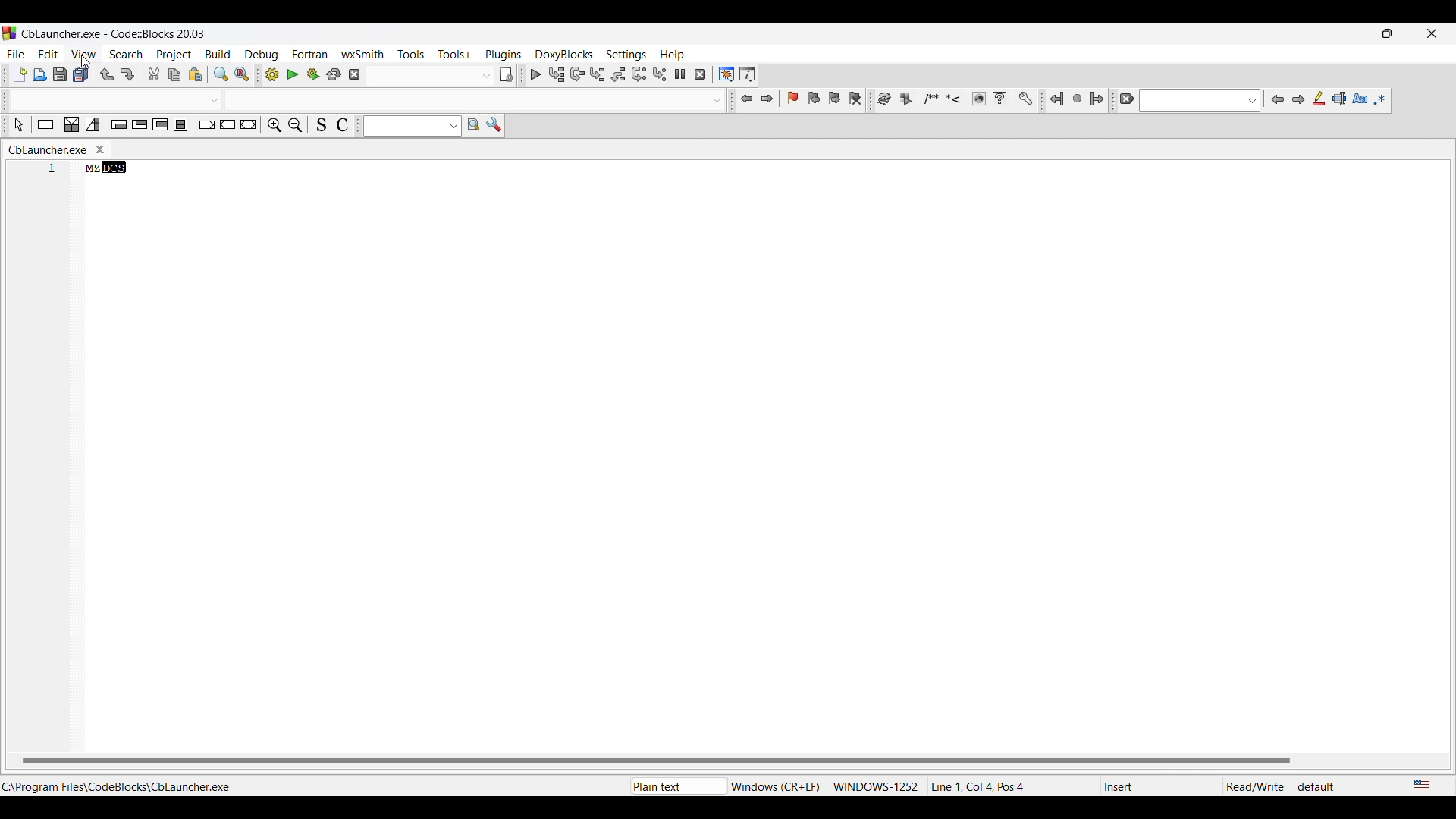  I want to click on Block instruction, so click(181, 124).